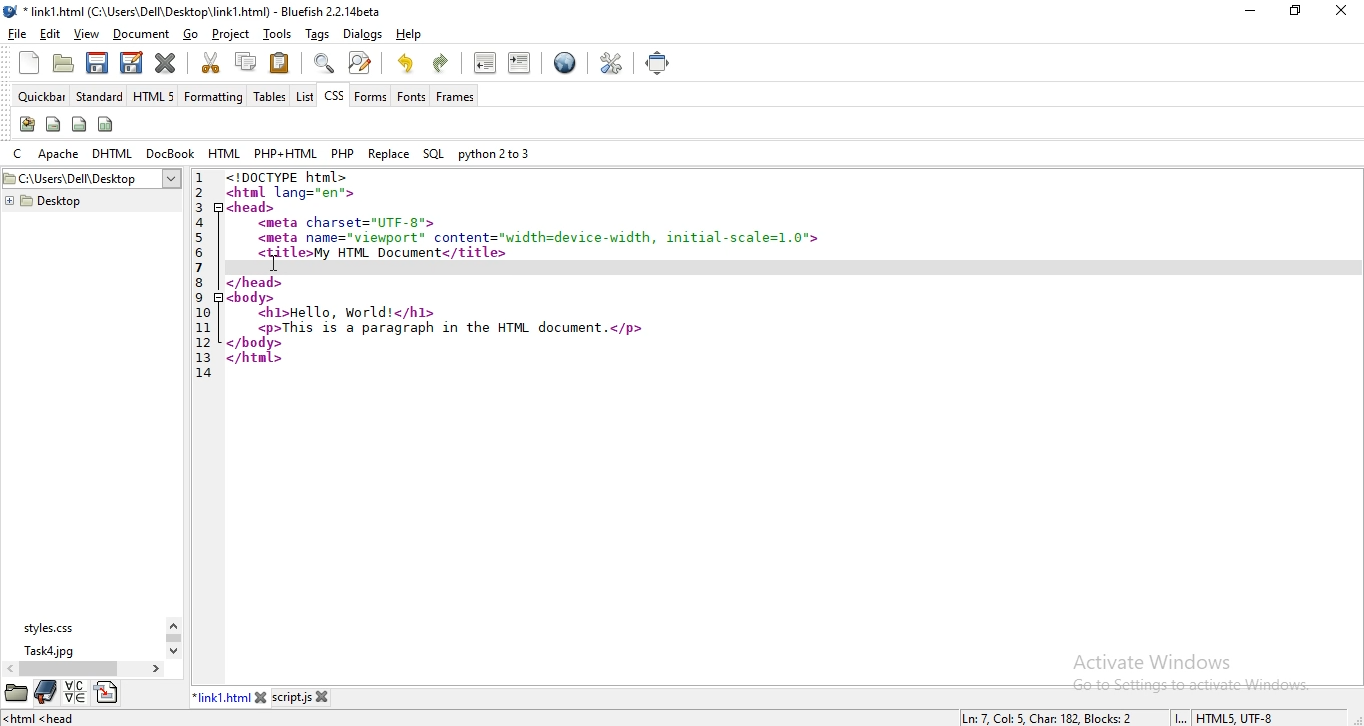 The image size is (1364, 726). I want to click on html, so click(223, 152).